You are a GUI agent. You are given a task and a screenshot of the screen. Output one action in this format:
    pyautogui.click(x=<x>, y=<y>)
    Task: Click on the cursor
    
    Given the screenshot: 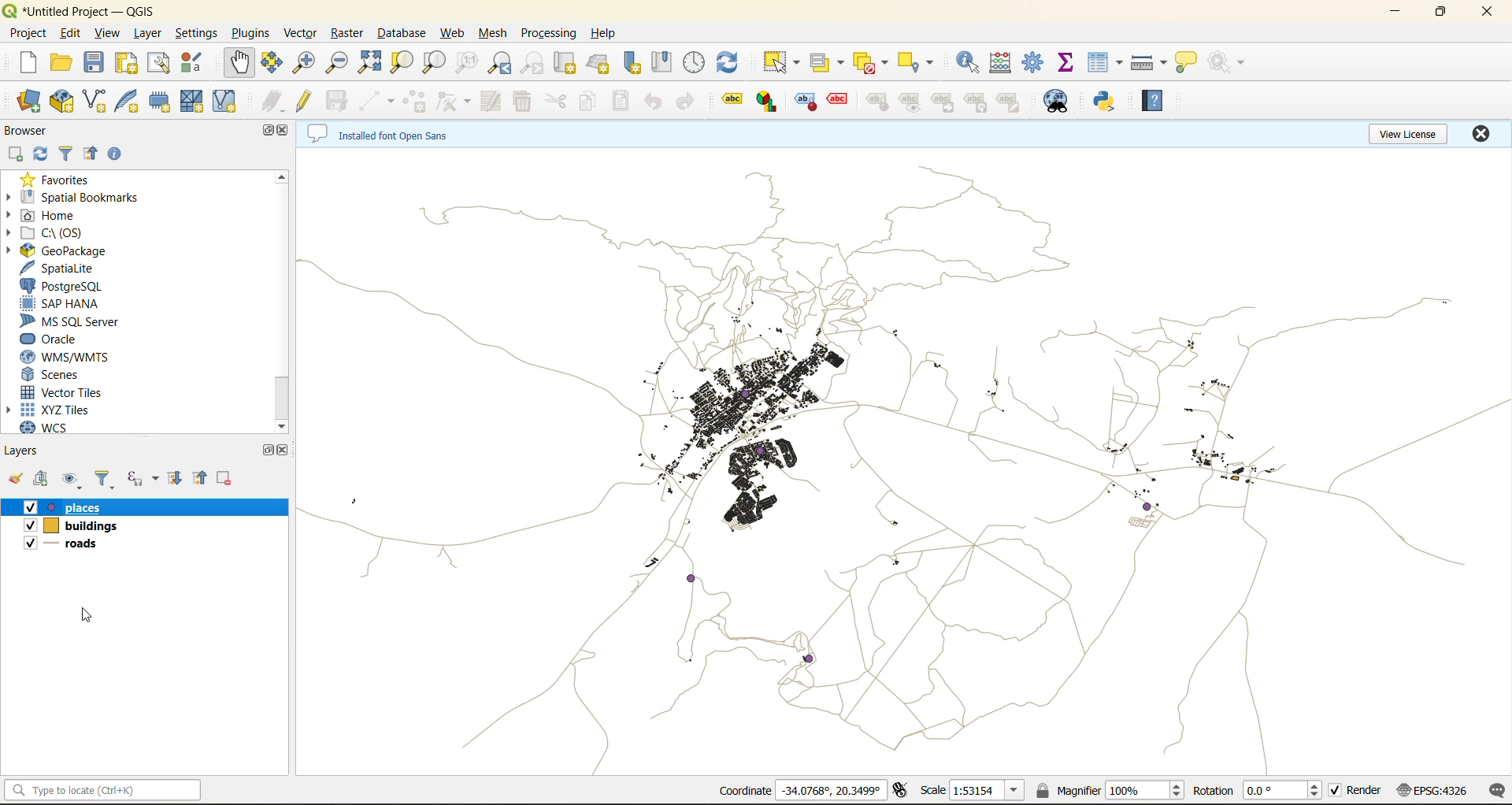 What is the action you would take?
    pyautogui.click(x=35, y=115)
    